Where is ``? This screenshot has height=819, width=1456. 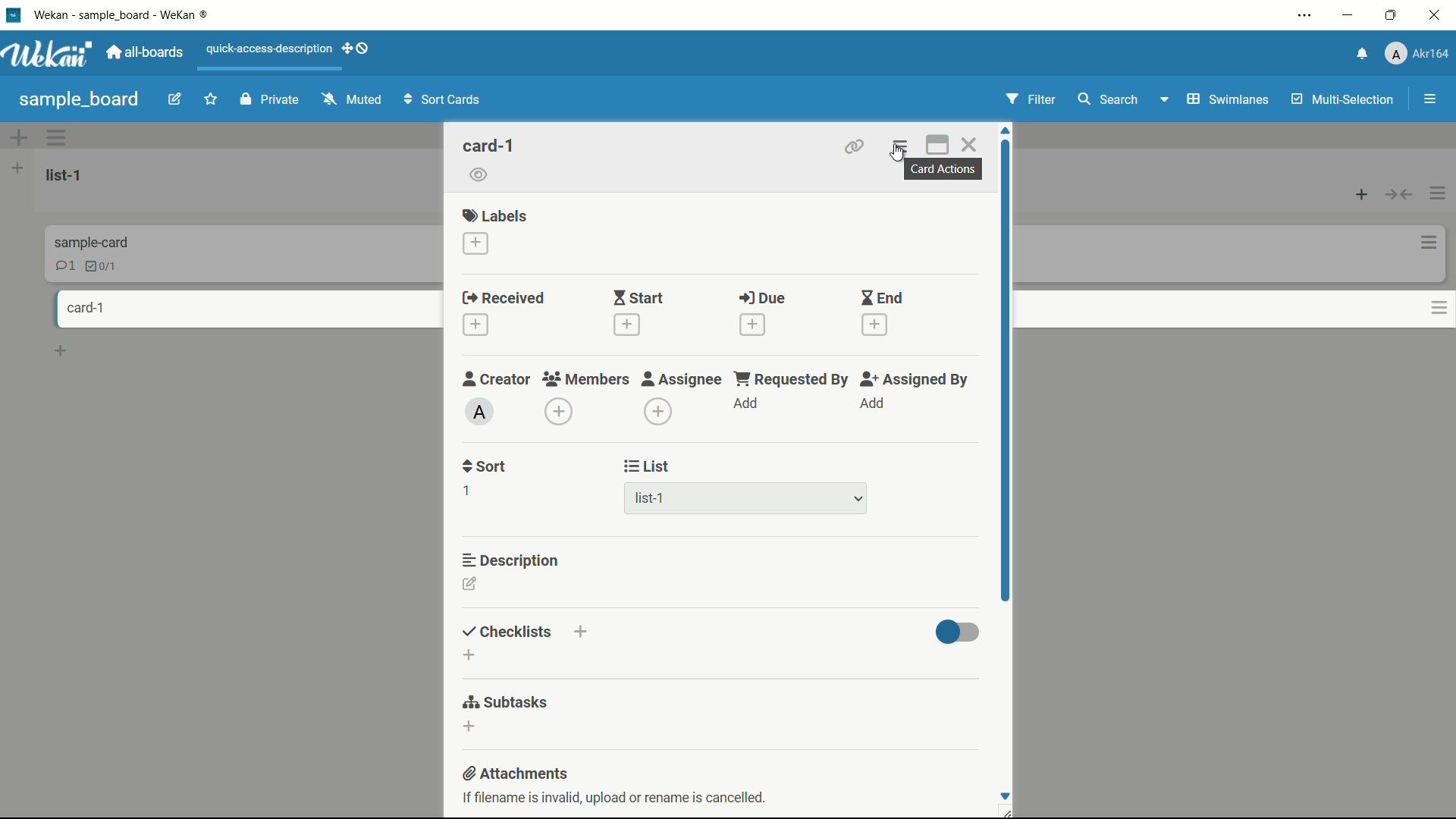  is located at coordinates (95, 241).